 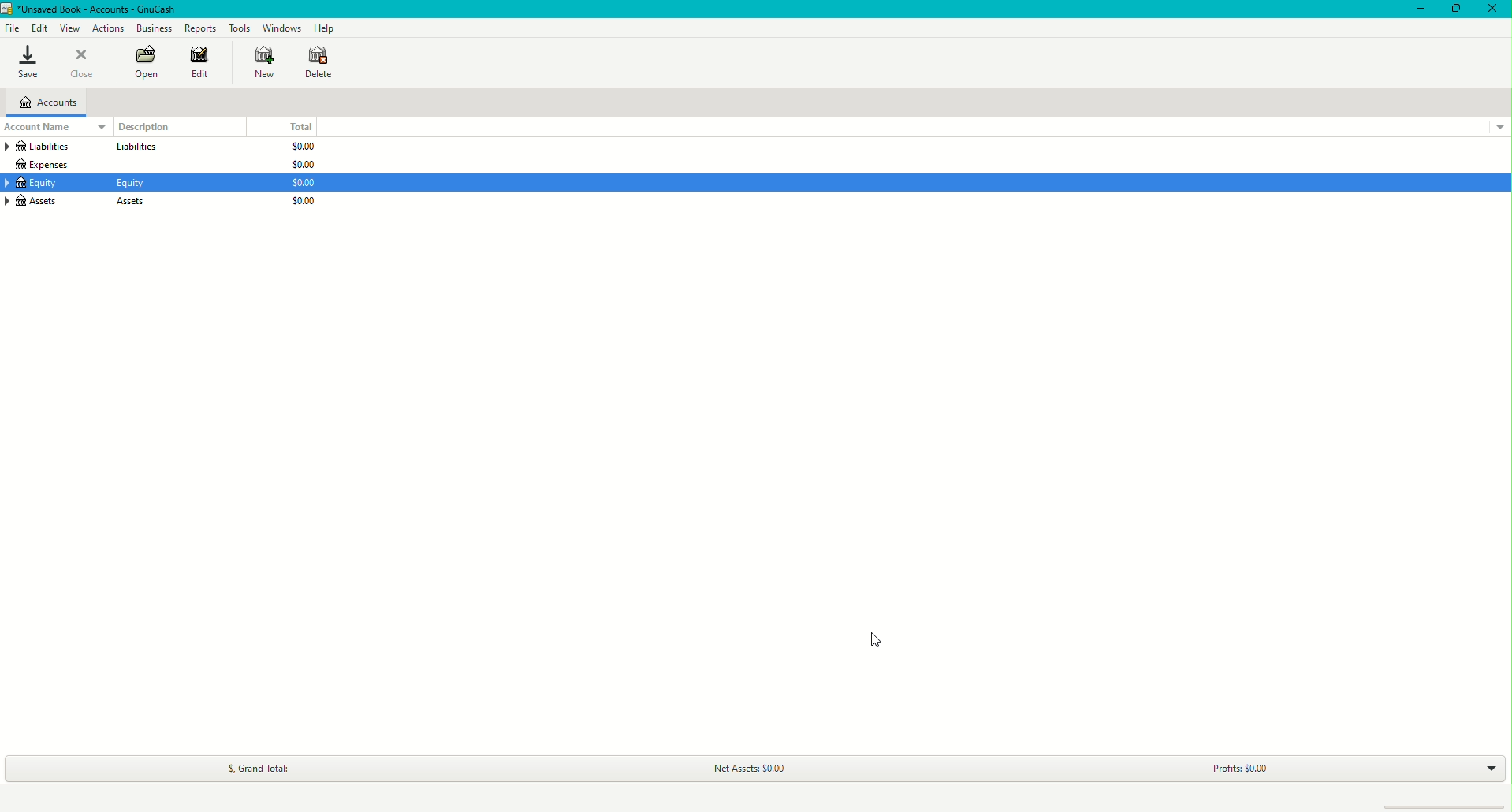 I want to click on Save, so click(x=27, y=63).